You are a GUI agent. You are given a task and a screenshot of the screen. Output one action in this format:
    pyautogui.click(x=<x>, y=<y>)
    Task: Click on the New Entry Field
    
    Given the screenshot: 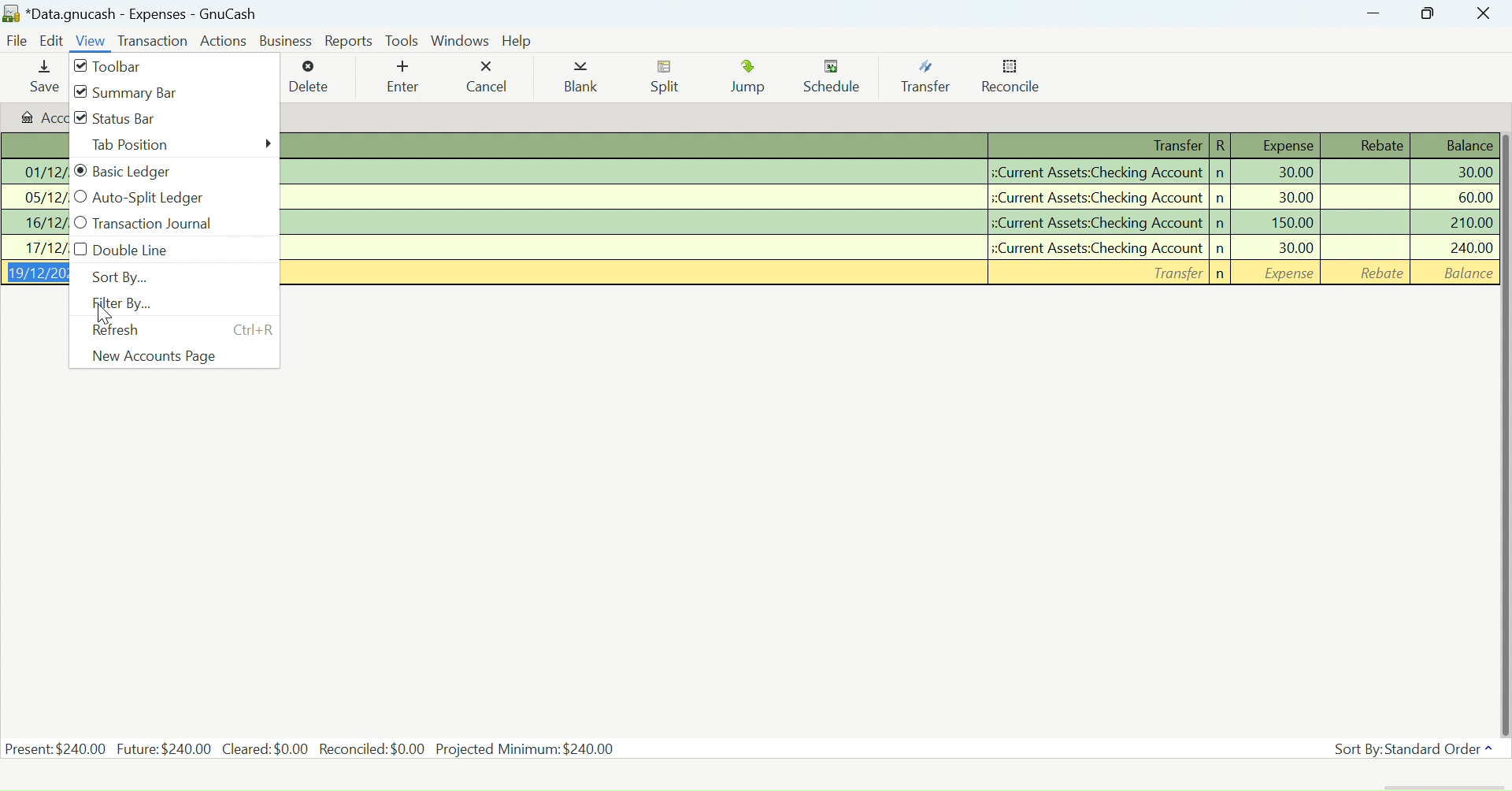 What is the action you would take?
    pyautogui.click(x=890, y=274)
    